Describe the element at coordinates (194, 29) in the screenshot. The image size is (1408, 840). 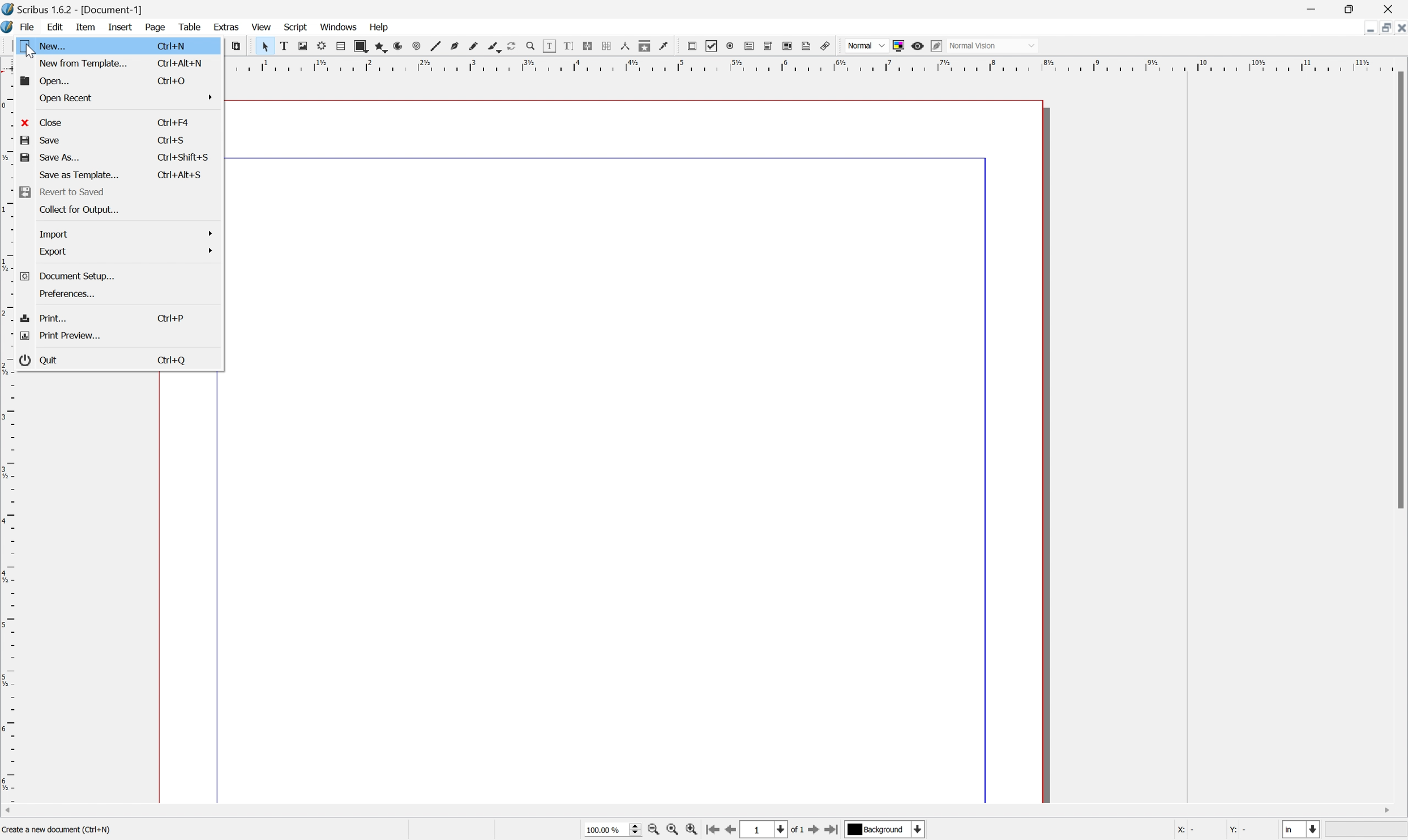
I see `Table` at that location.